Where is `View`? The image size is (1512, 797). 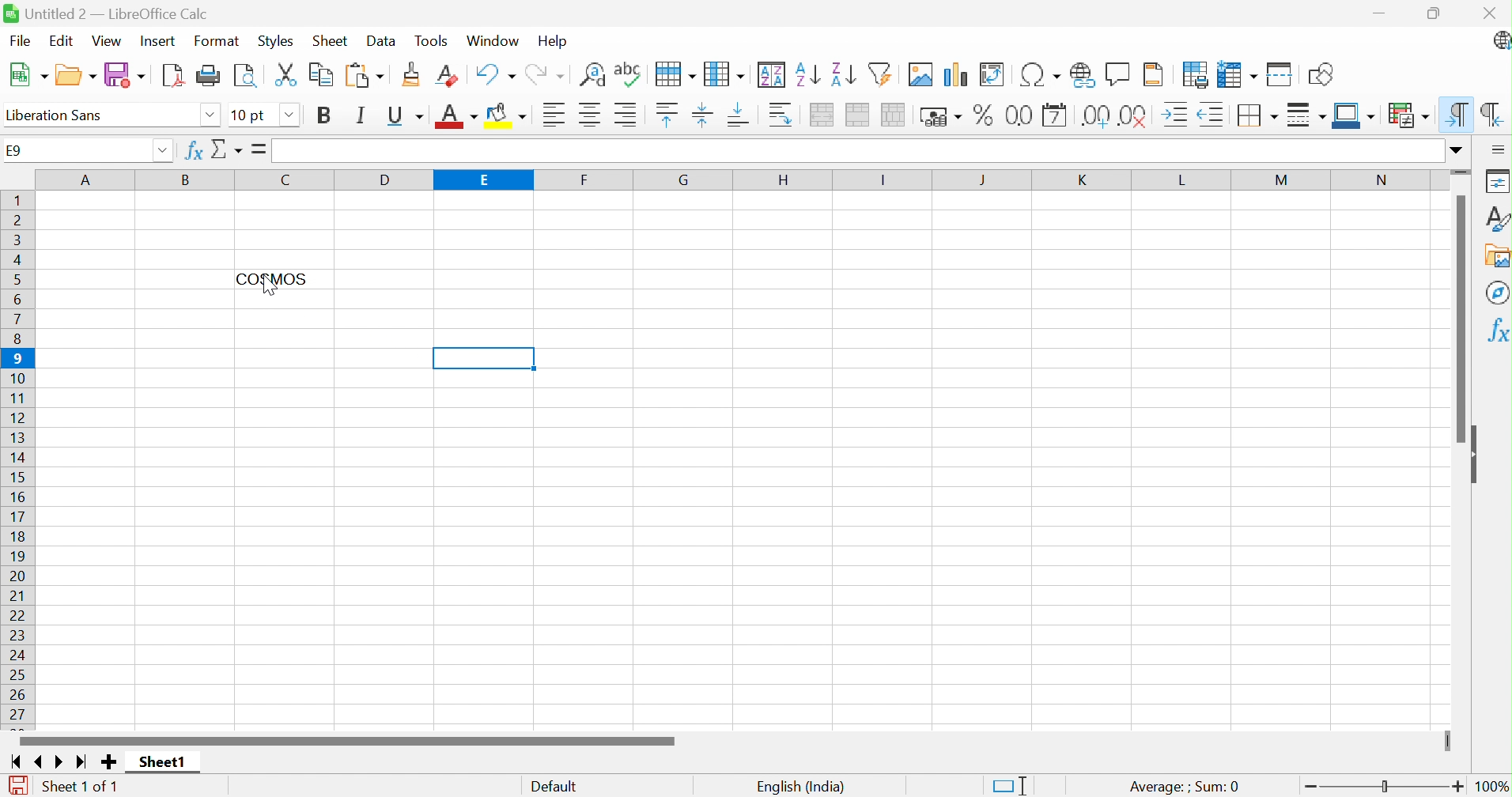 View is located at coordinates (107, 40).